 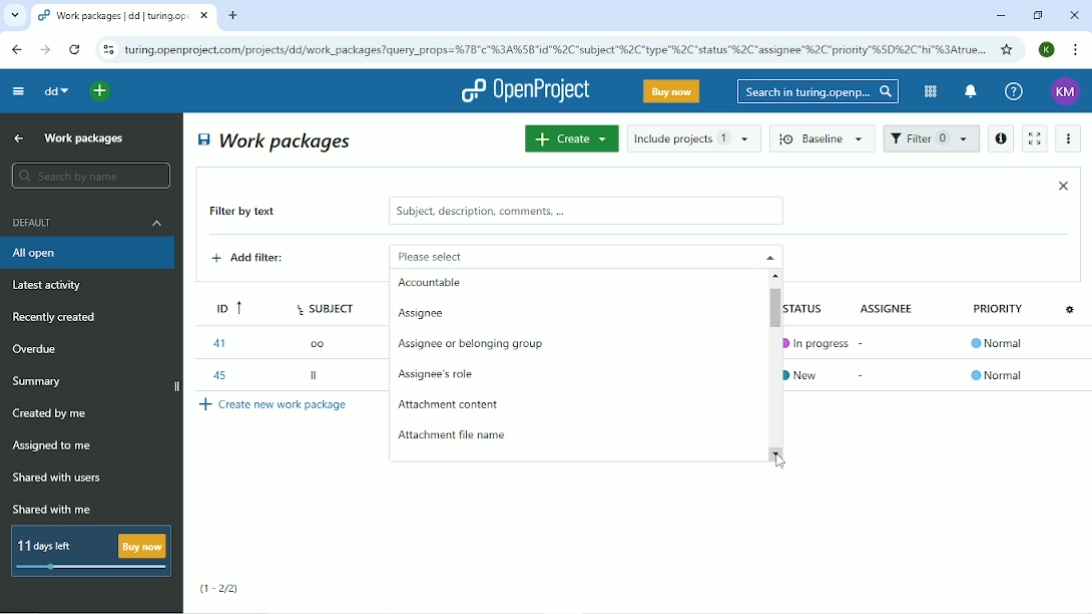 I want to click on Filter 0, so click(x=931, y=140).